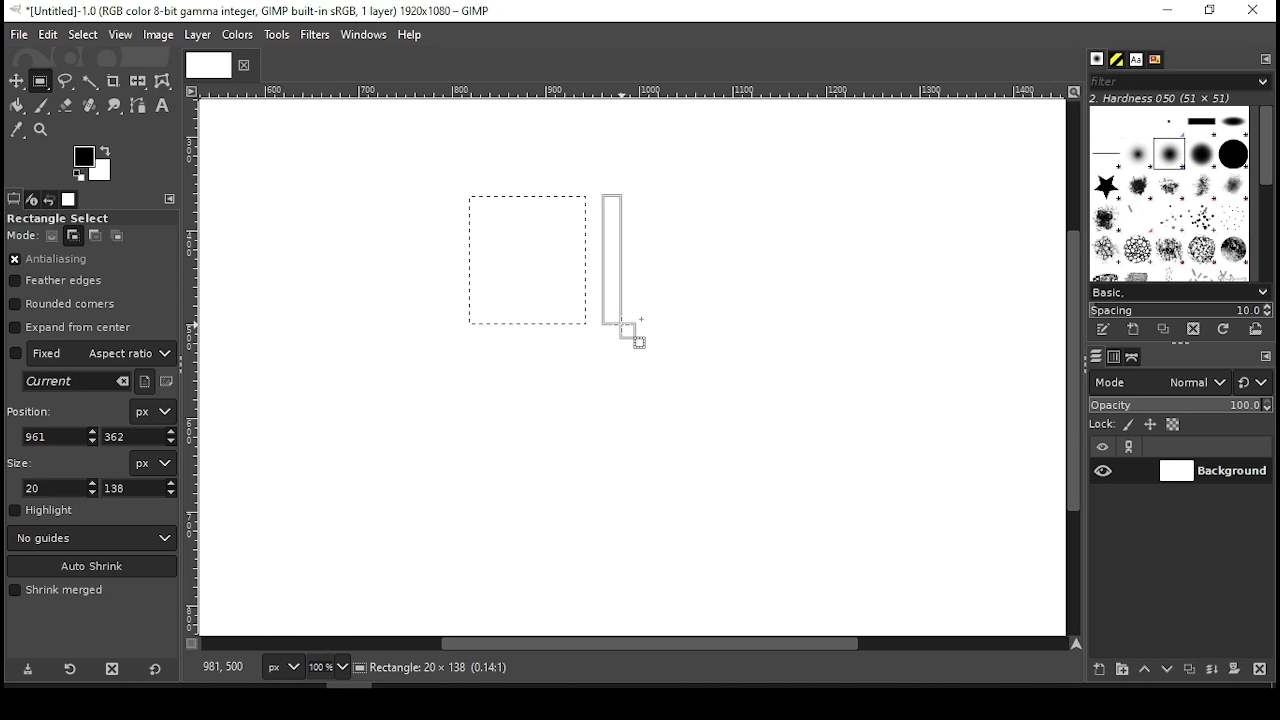 The image size is (1280, 720). What do you see at coordinates (1179, 407) in the screenshot?
I see `opacity` at bounding box center [1179, 407].